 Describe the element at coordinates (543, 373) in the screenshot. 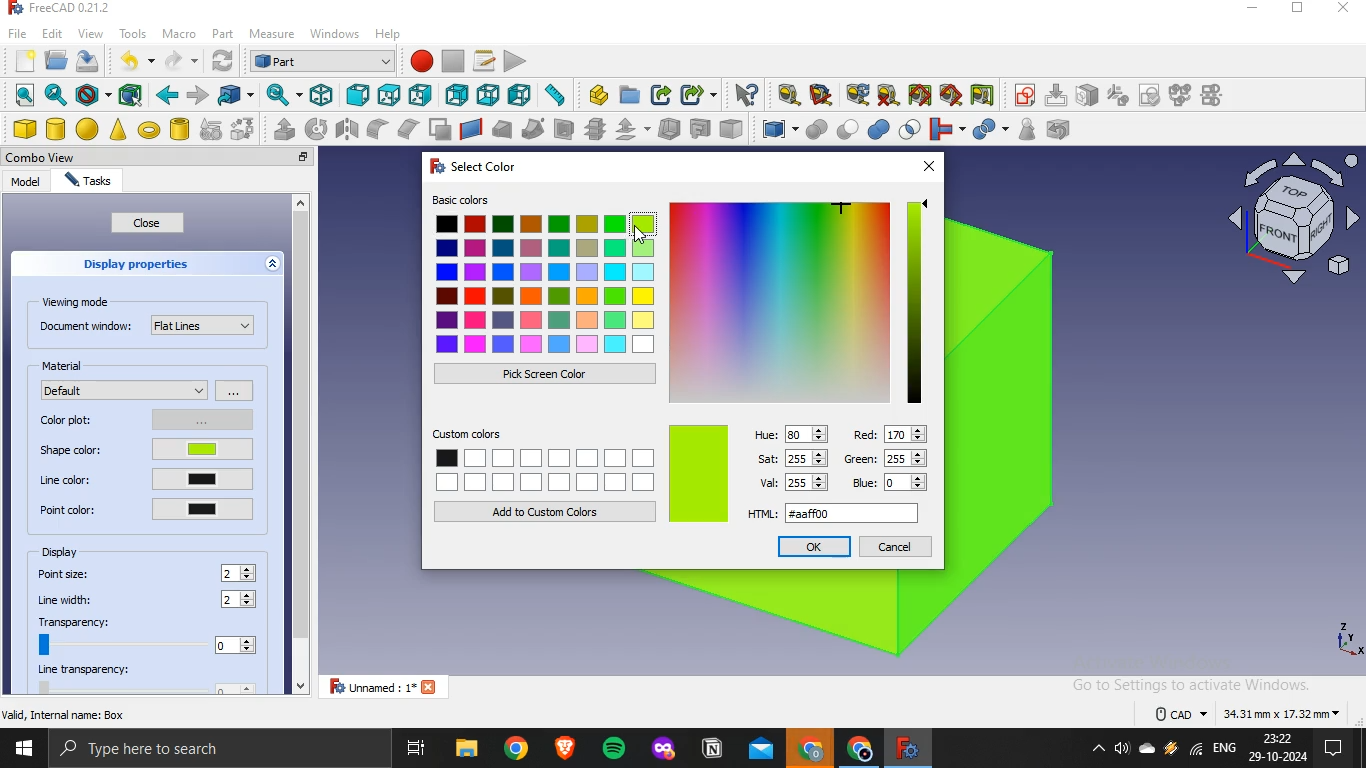

I see `pick screen color` at that location.